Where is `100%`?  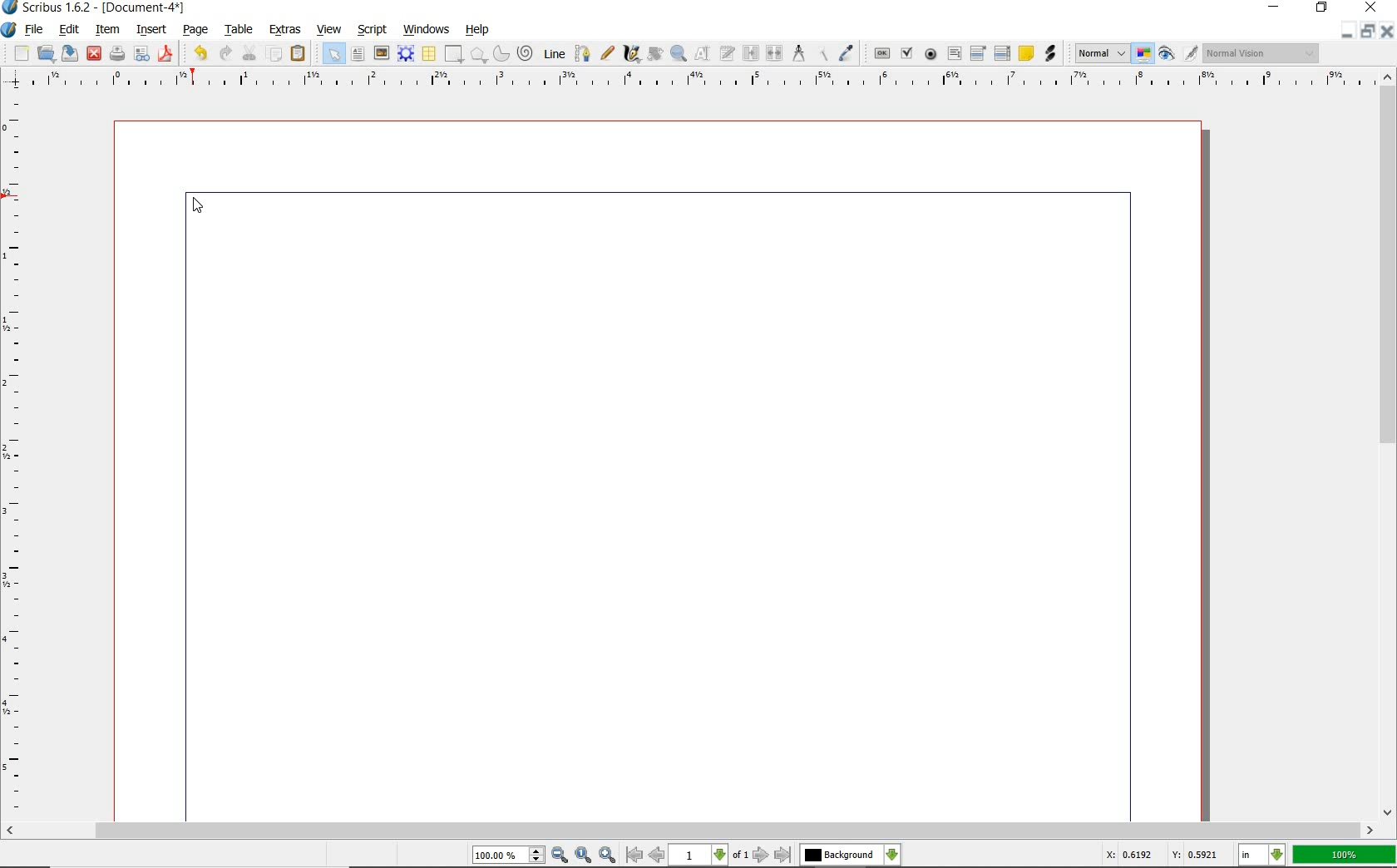 100% is located at coordinates (1344, 855).